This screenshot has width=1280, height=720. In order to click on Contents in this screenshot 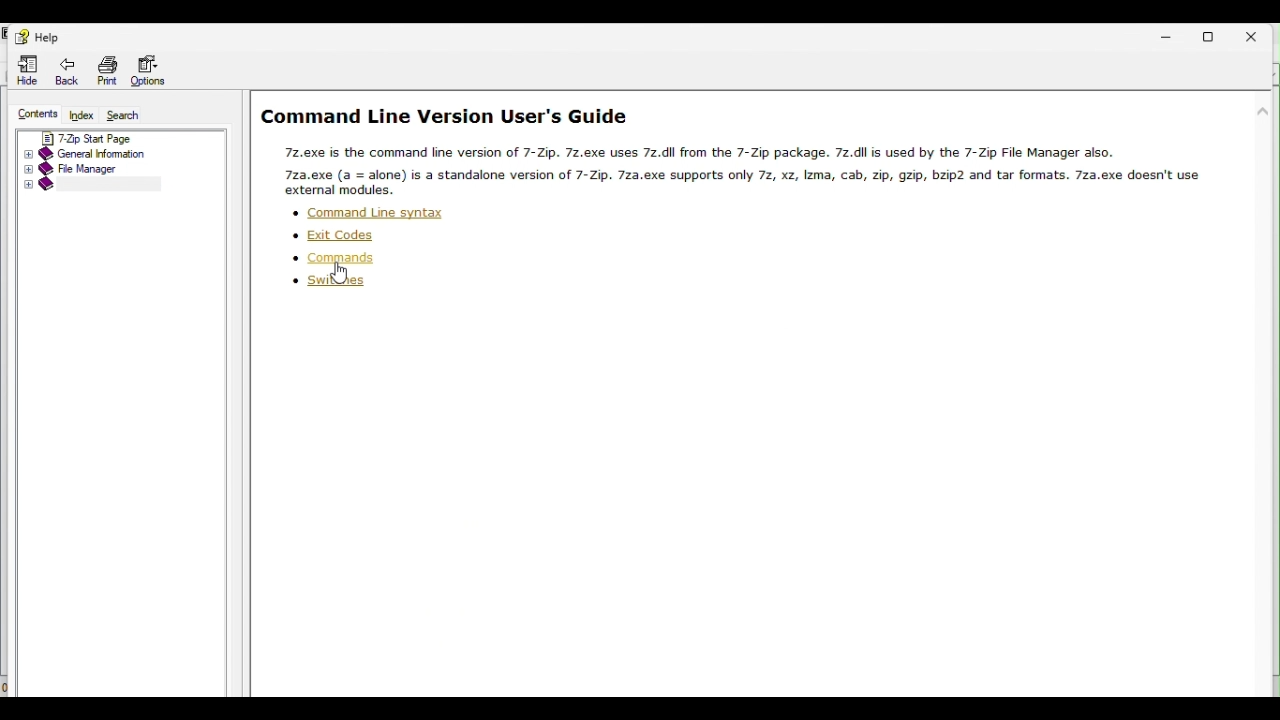, I will do `click(32, 115)`.